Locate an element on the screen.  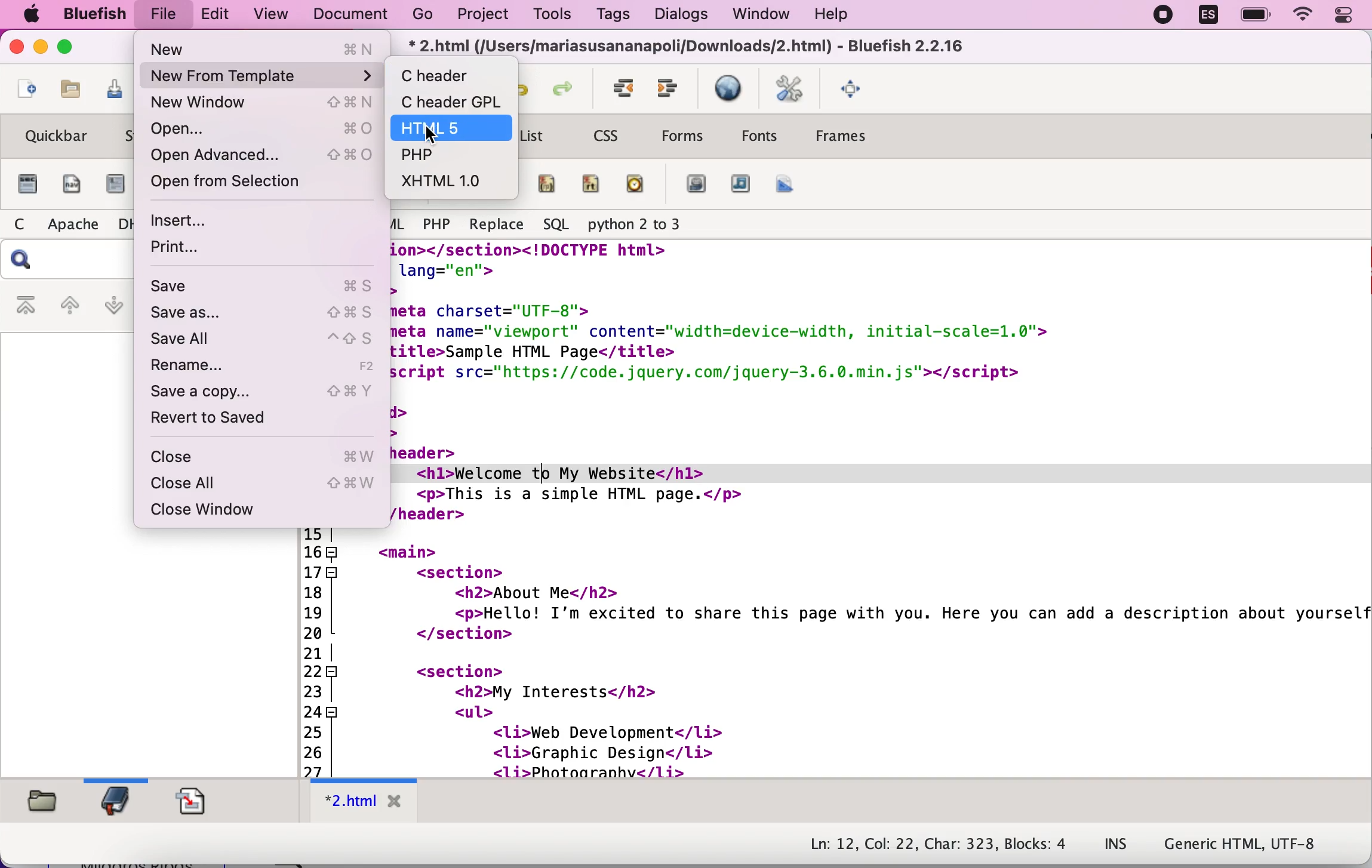
new file is located at coordinates (24, 93).